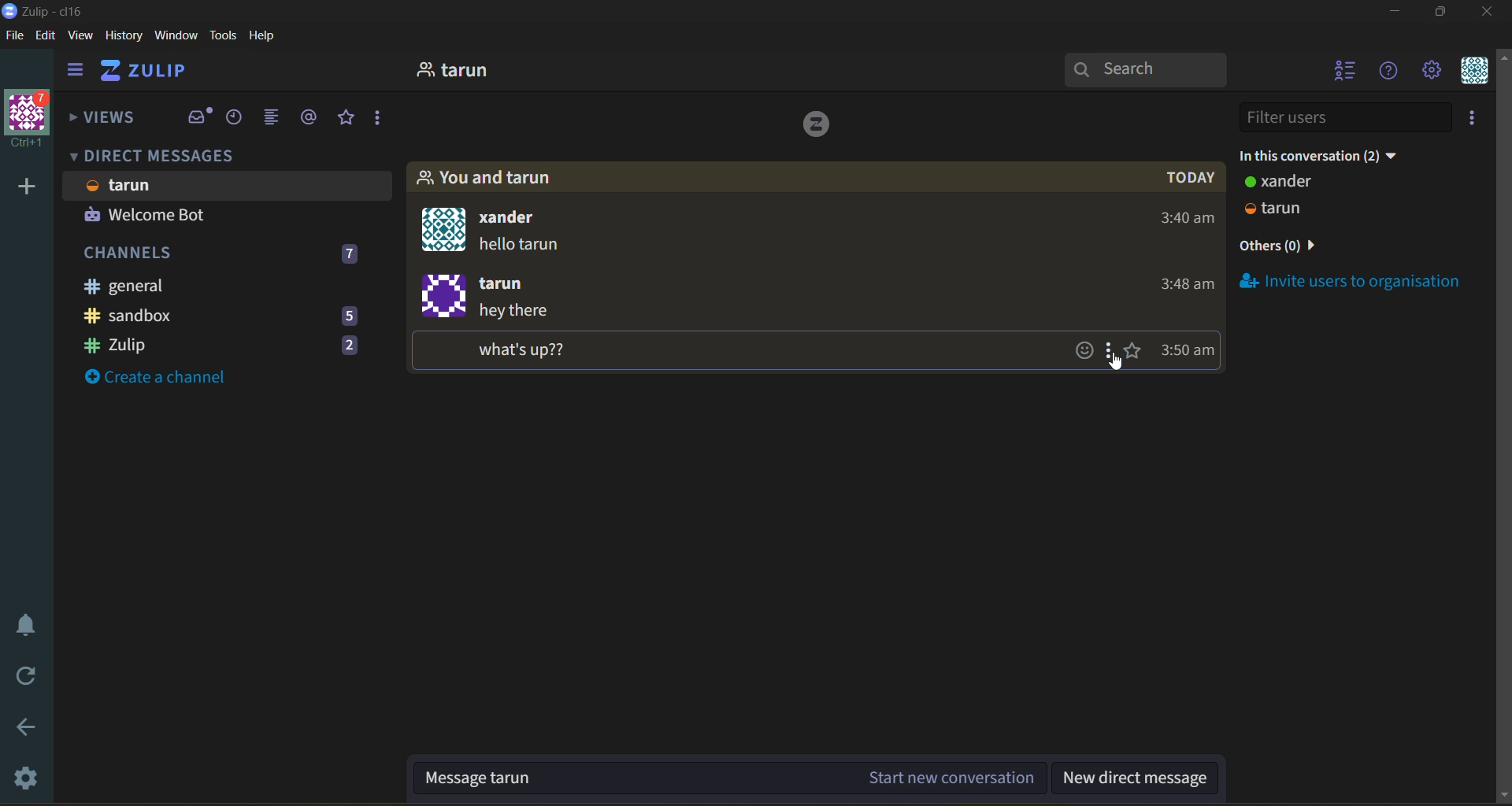 This screenshot has width=1512, height=806. What do you see at coordinates (199, 116) in the screenshot?
I see `inbox` at bounding box center [199, 116].